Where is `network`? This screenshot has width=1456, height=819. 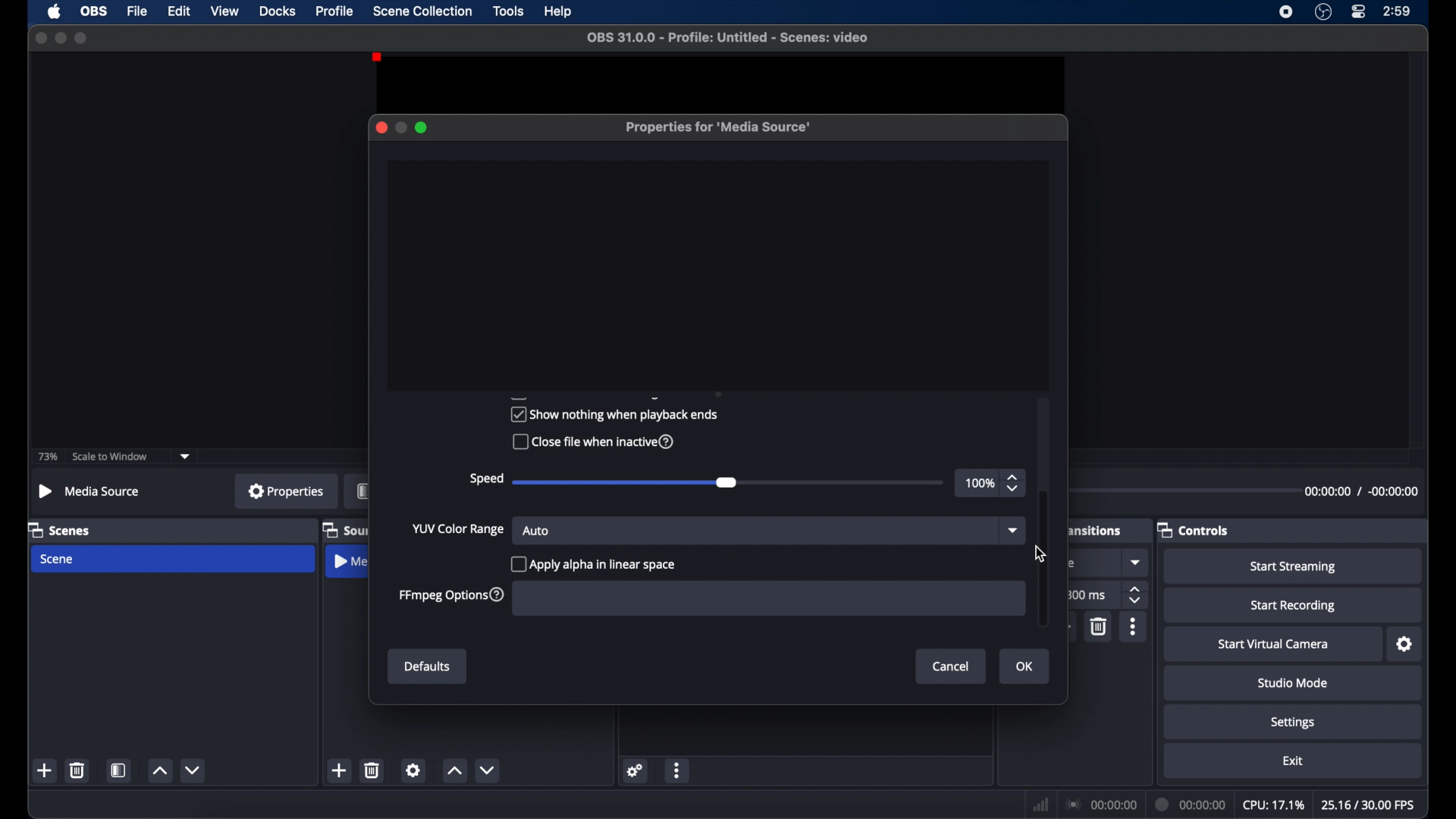 network is located at coordinates (1041, 805).